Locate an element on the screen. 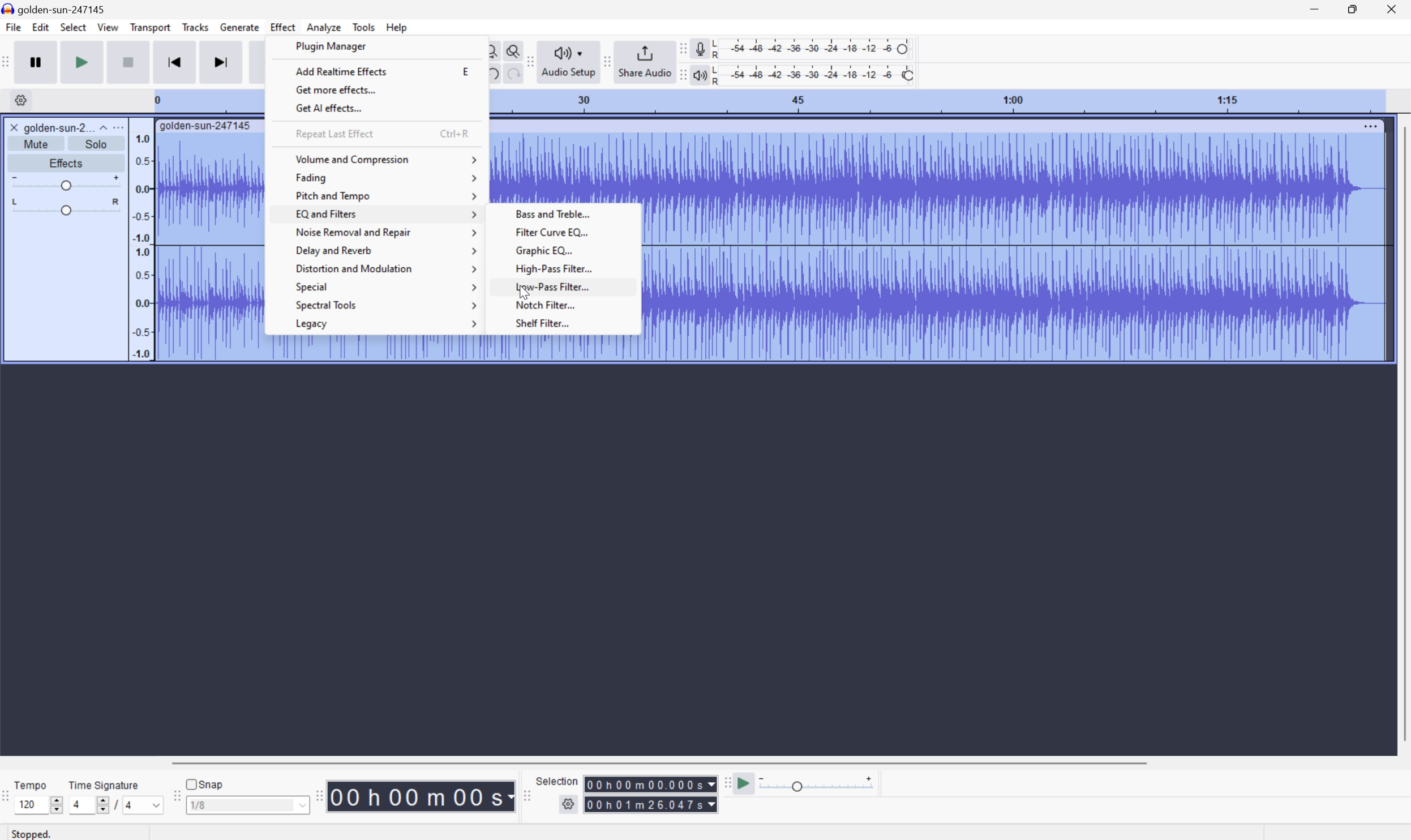  Audio is located at coordinates (1013, 246).